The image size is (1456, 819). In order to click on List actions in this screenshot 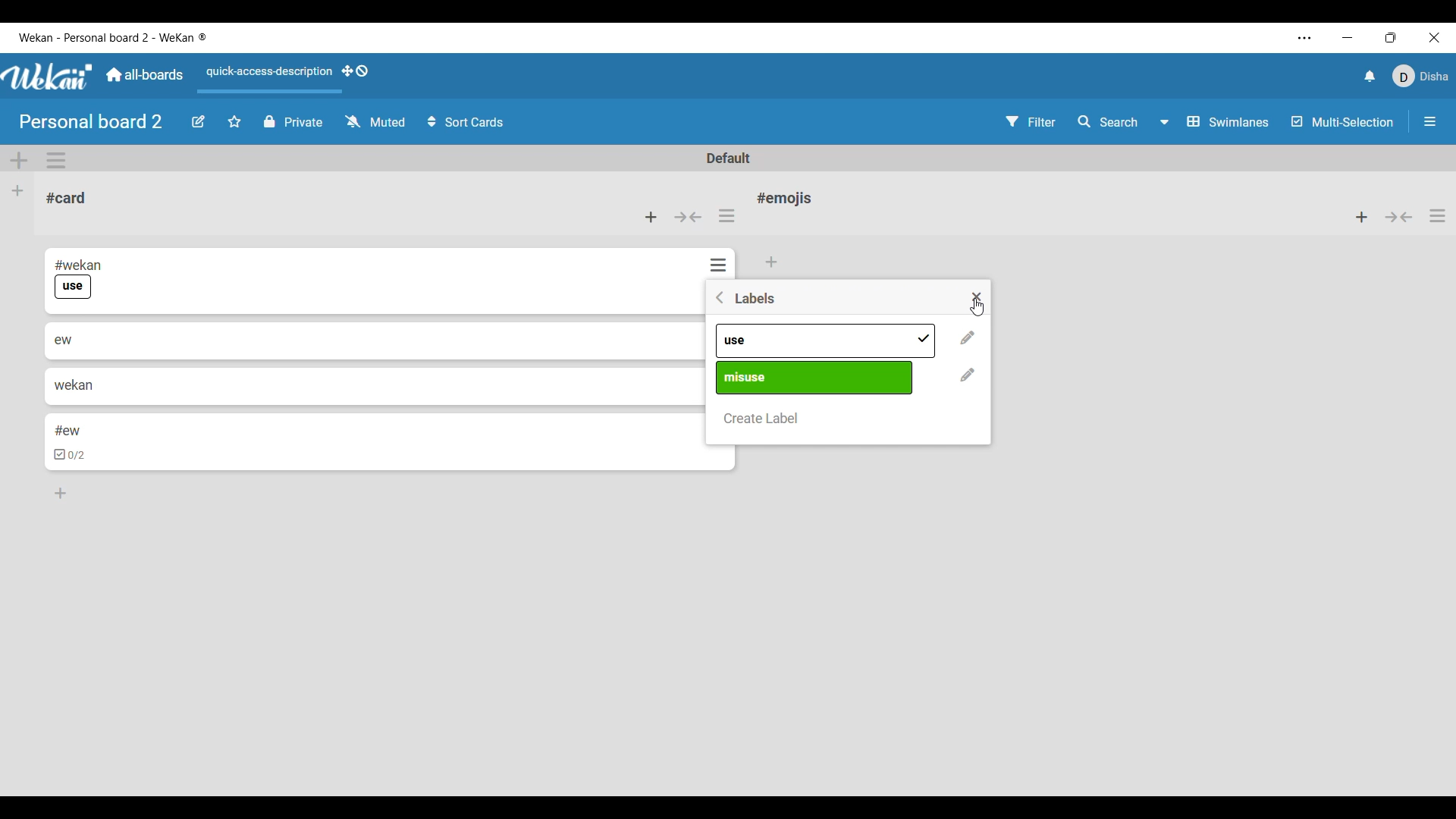, I will do `click(726, 215)`.